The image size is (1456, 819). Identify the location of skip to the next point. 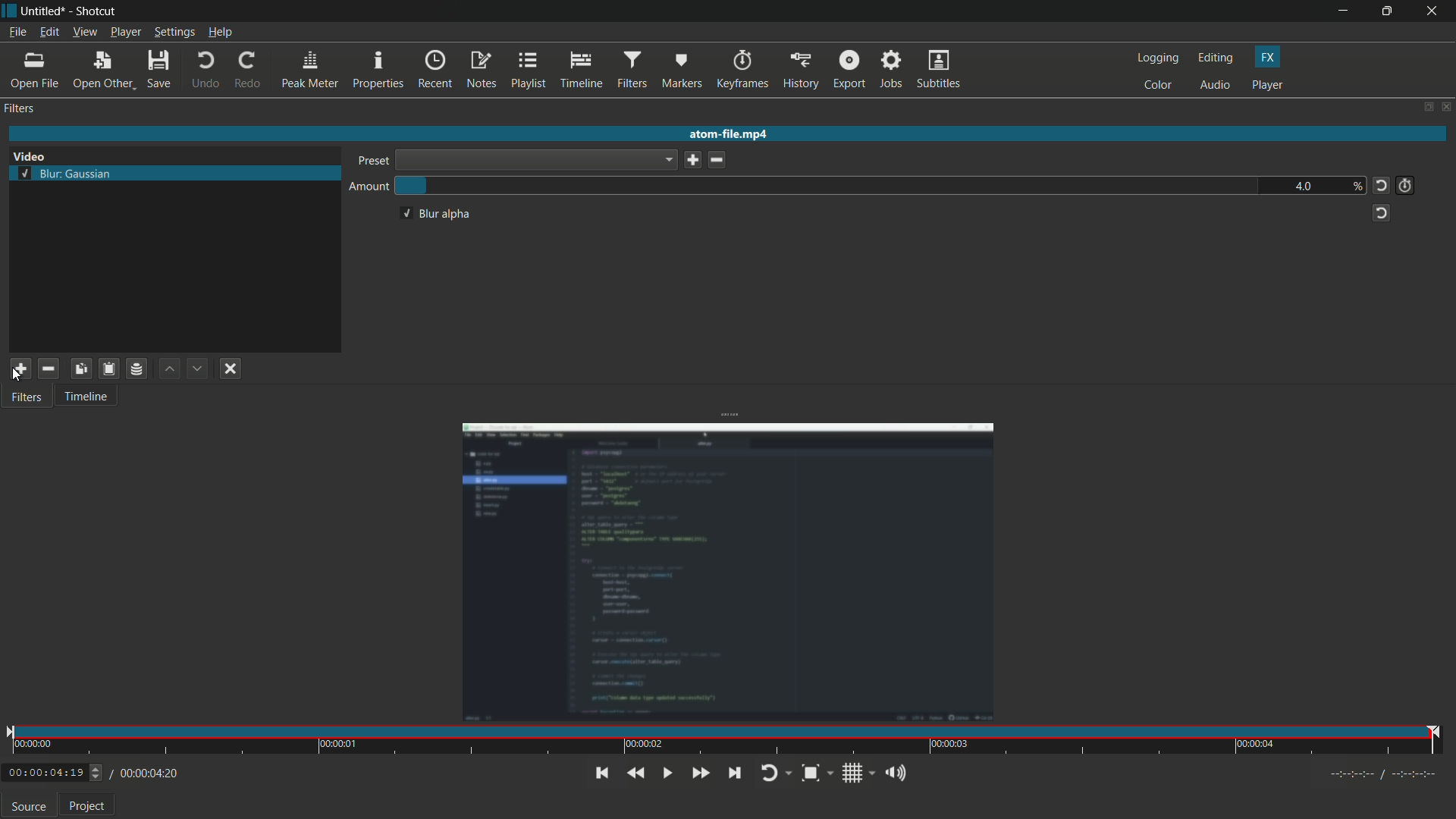
(739, 773).